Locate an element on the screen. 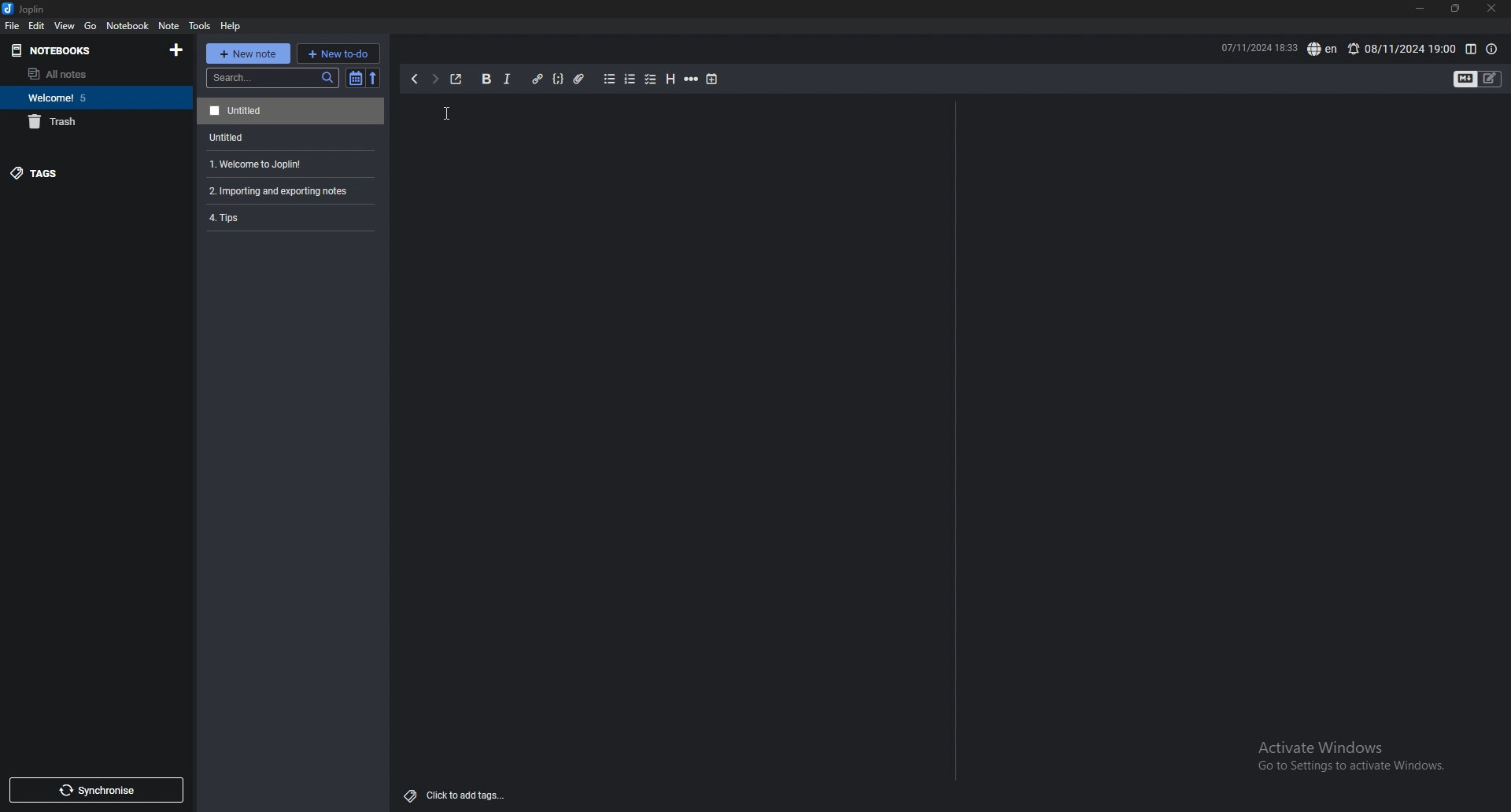 The image size is (1511, 812). toggle external editor is located at coordinates (456, 79).